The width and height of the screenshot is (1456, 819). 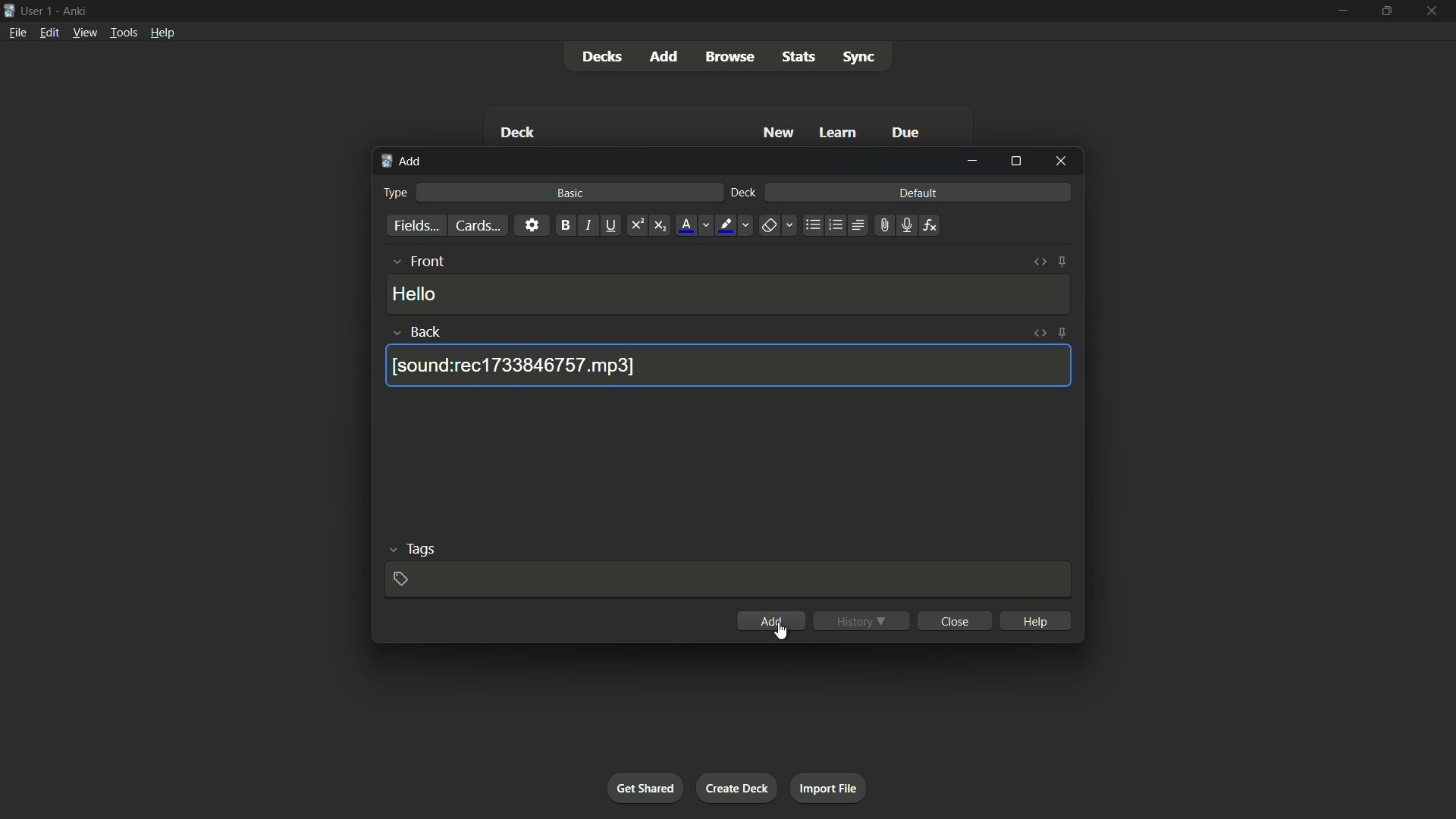 I want to click on minimize, so click(x=1341, y=11).